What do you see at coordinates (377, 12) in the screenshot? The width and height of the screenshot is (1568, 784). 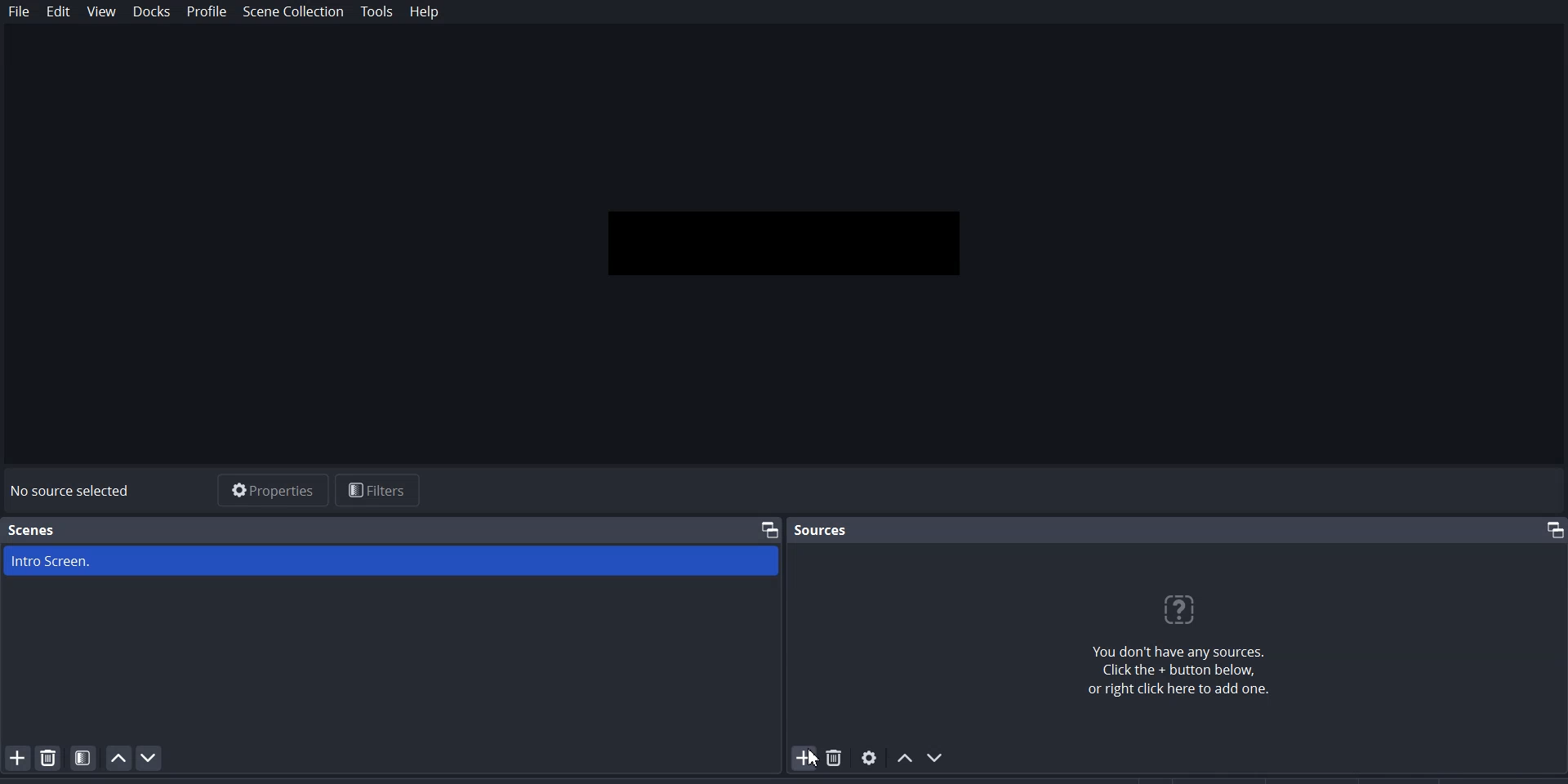 I see `Tools` at bounding box center [377, 12].